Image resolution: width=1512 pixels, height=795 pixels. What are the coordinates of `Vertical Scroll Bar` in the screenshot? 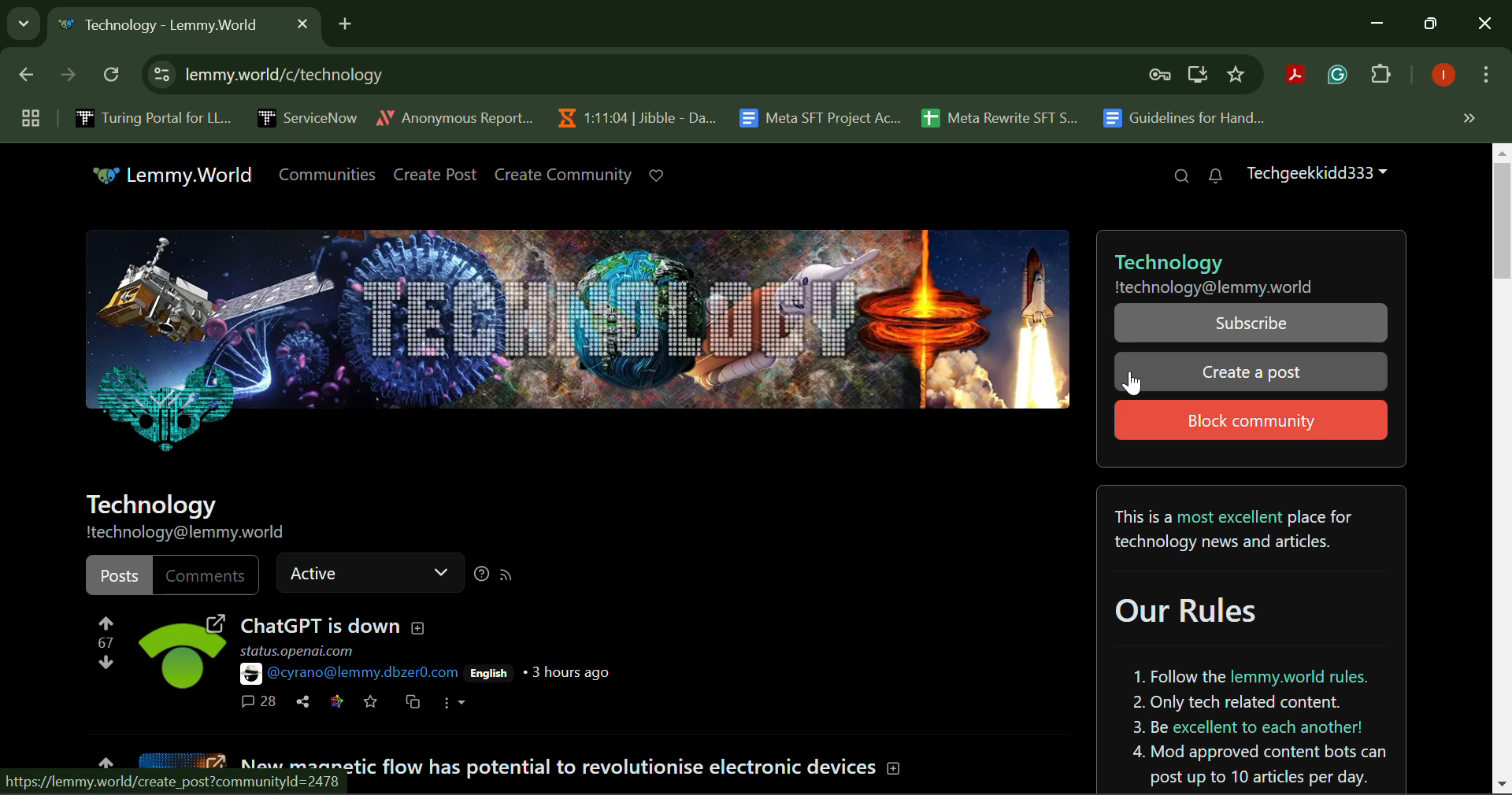 It's located at (1503, 469).